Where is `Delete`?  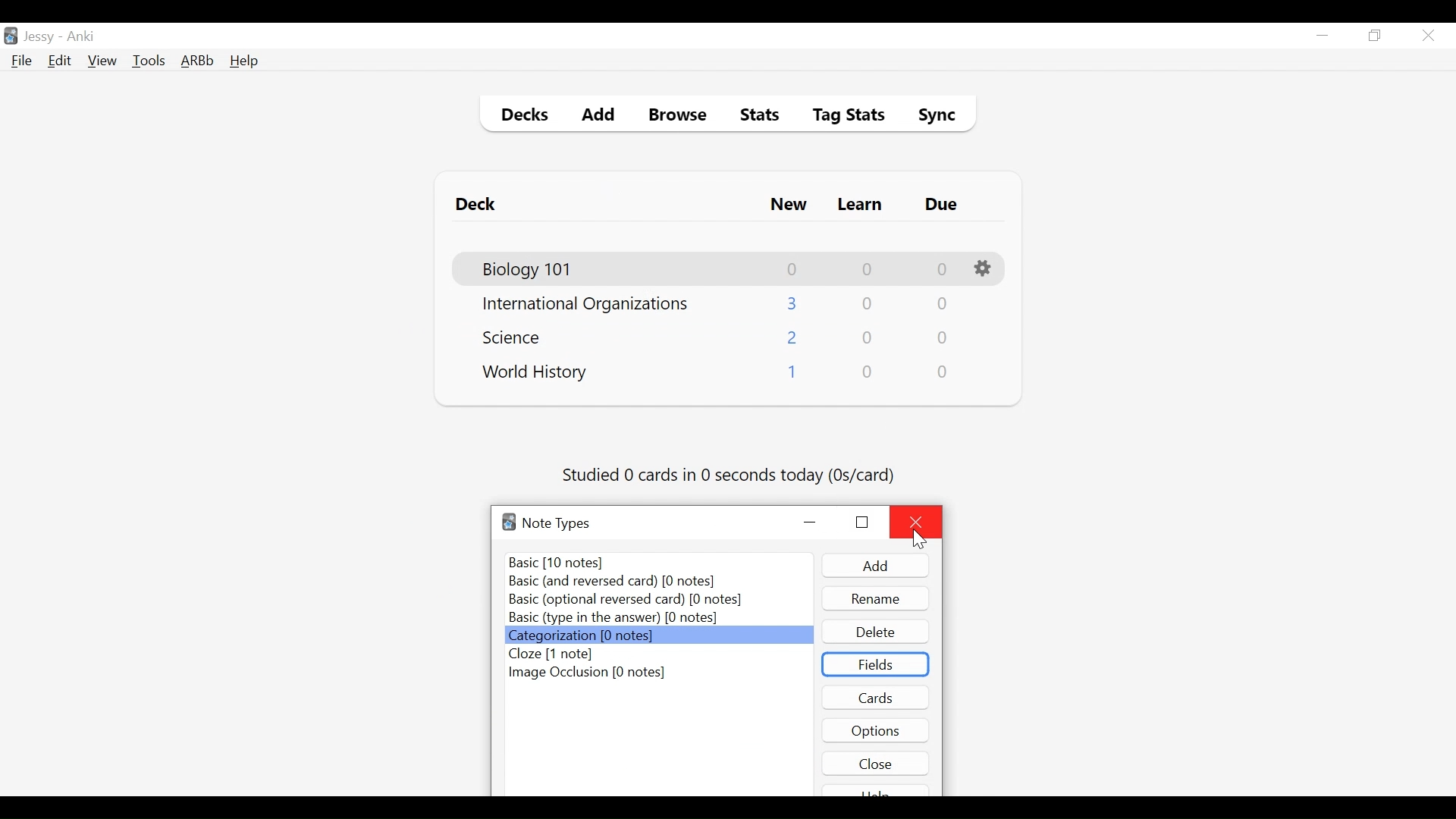
Delete is located at coordinates (874, 632).